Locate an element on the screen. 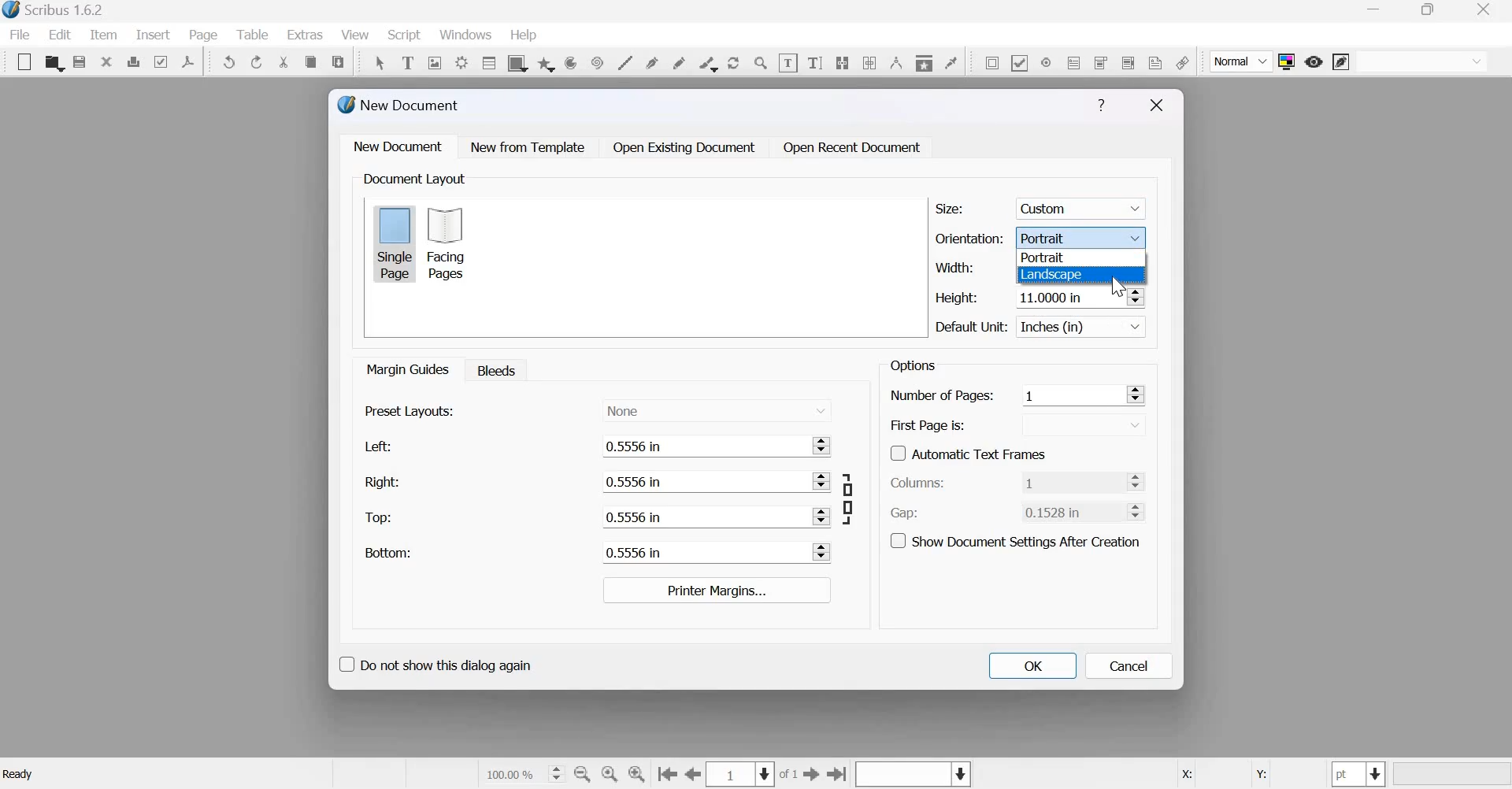 Image resolution: width=1512 pixels, height=789 pixels. Increase and Decrease is located at coordinates (821, 445).